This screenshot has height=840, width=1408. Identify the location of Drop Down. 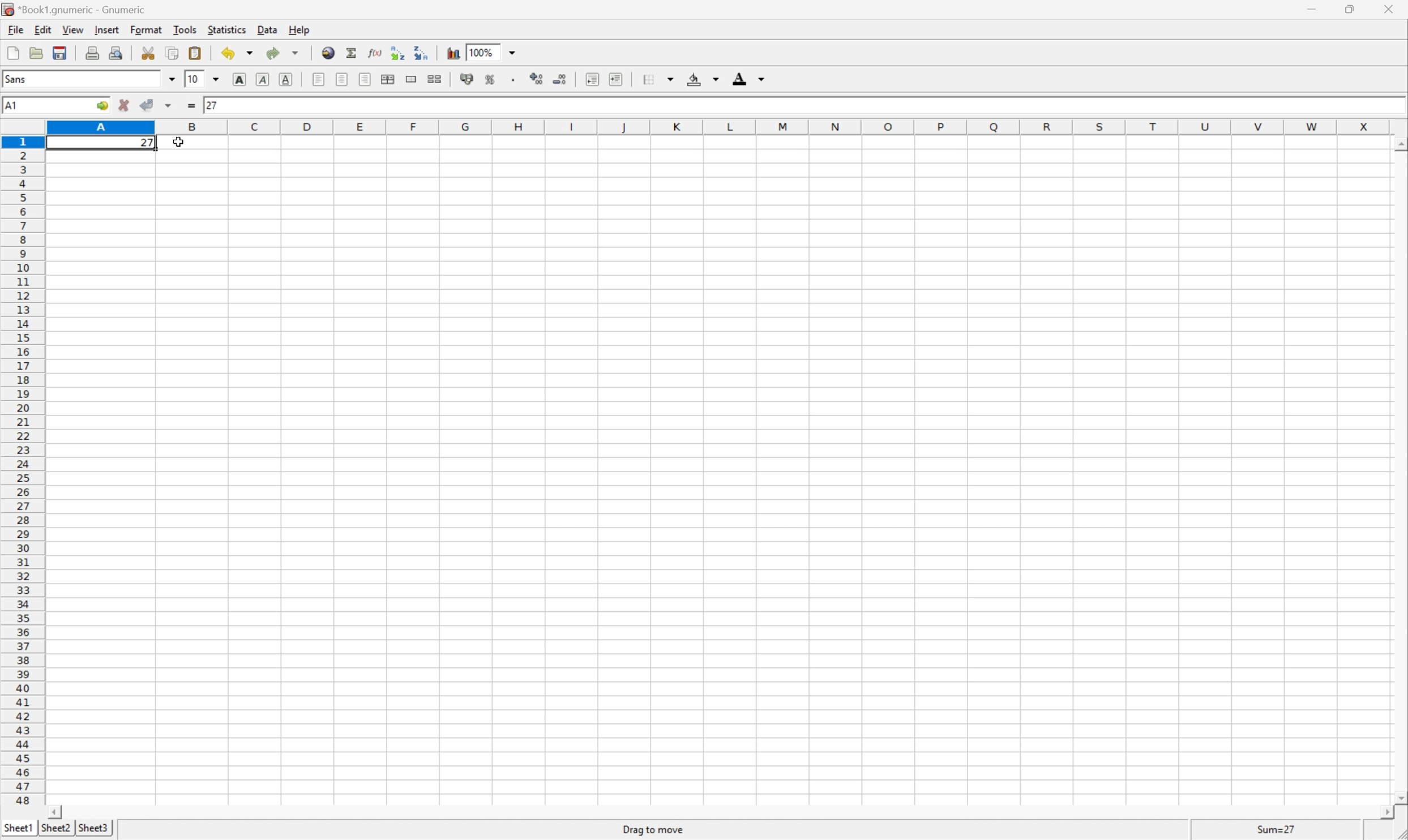
(513, 52).